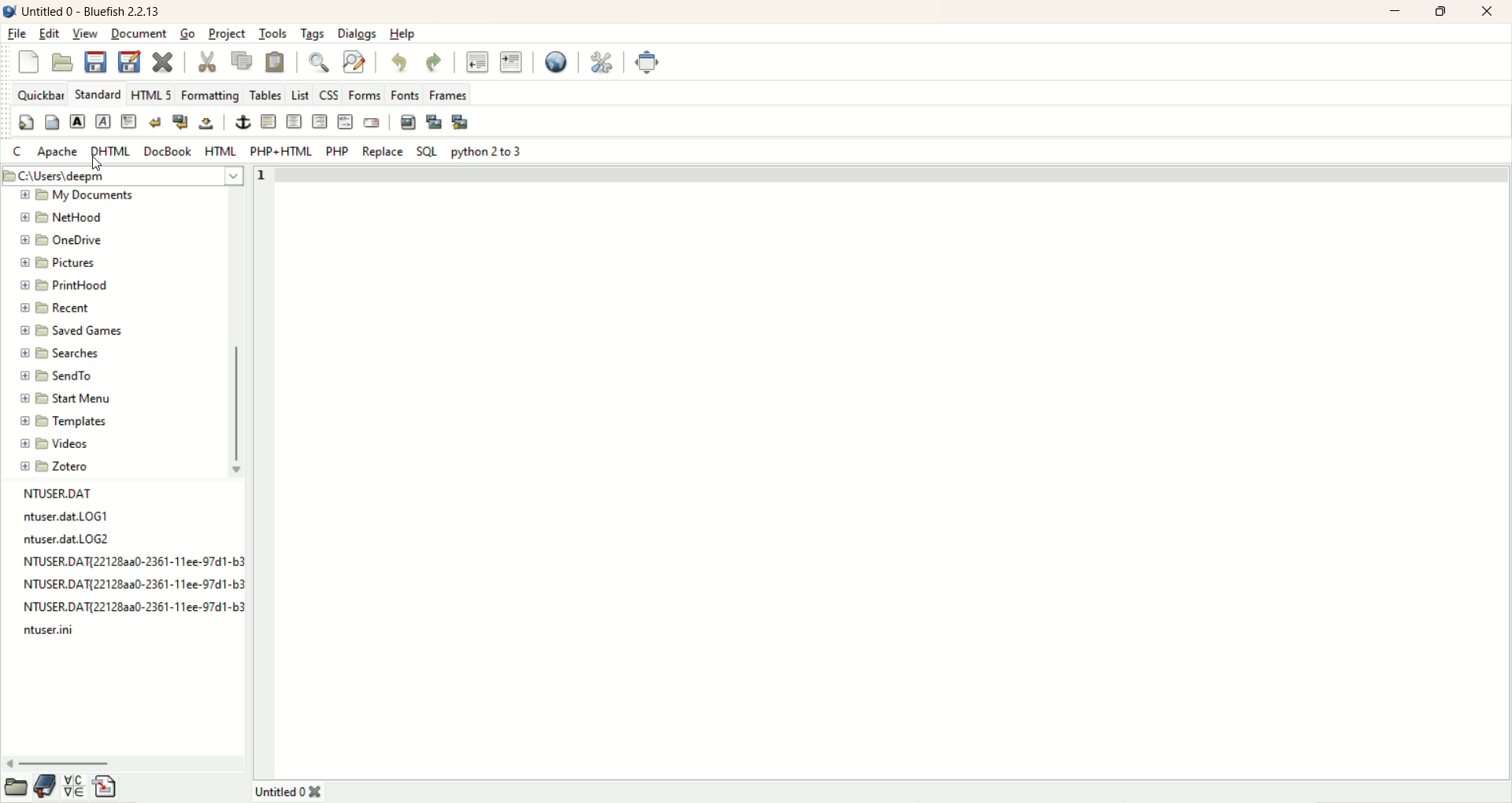 The width and height of the screenshot is (1512, 803). Describe the element at coordinates (40, 92) in the screenshot. I see `quickbar` at that location.